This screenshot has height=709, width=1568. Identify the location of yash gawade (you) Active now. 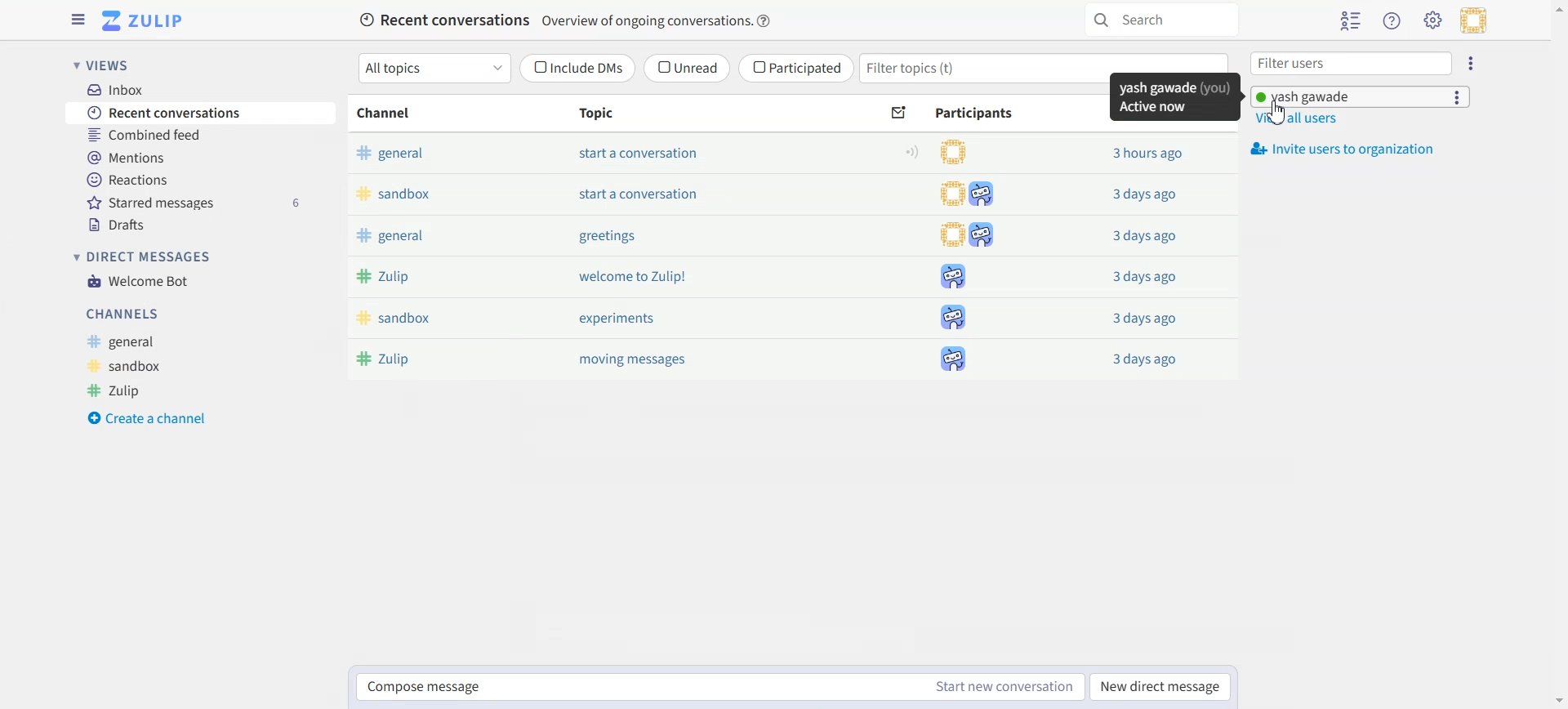
(1170, 99).